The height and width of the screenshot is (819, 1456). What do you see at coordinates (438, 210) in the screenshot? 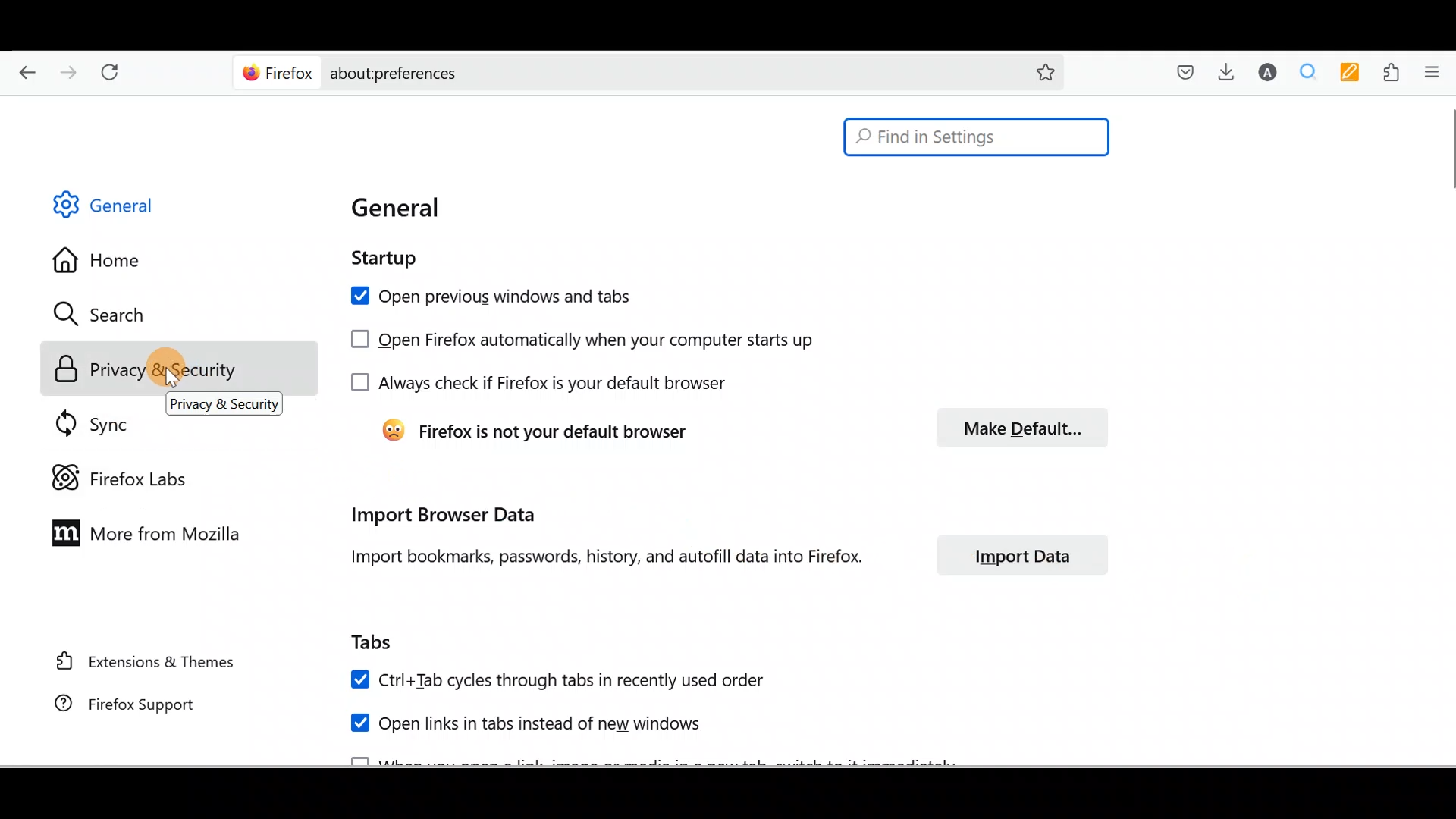
I see `General` at bounding box center [438, 210].